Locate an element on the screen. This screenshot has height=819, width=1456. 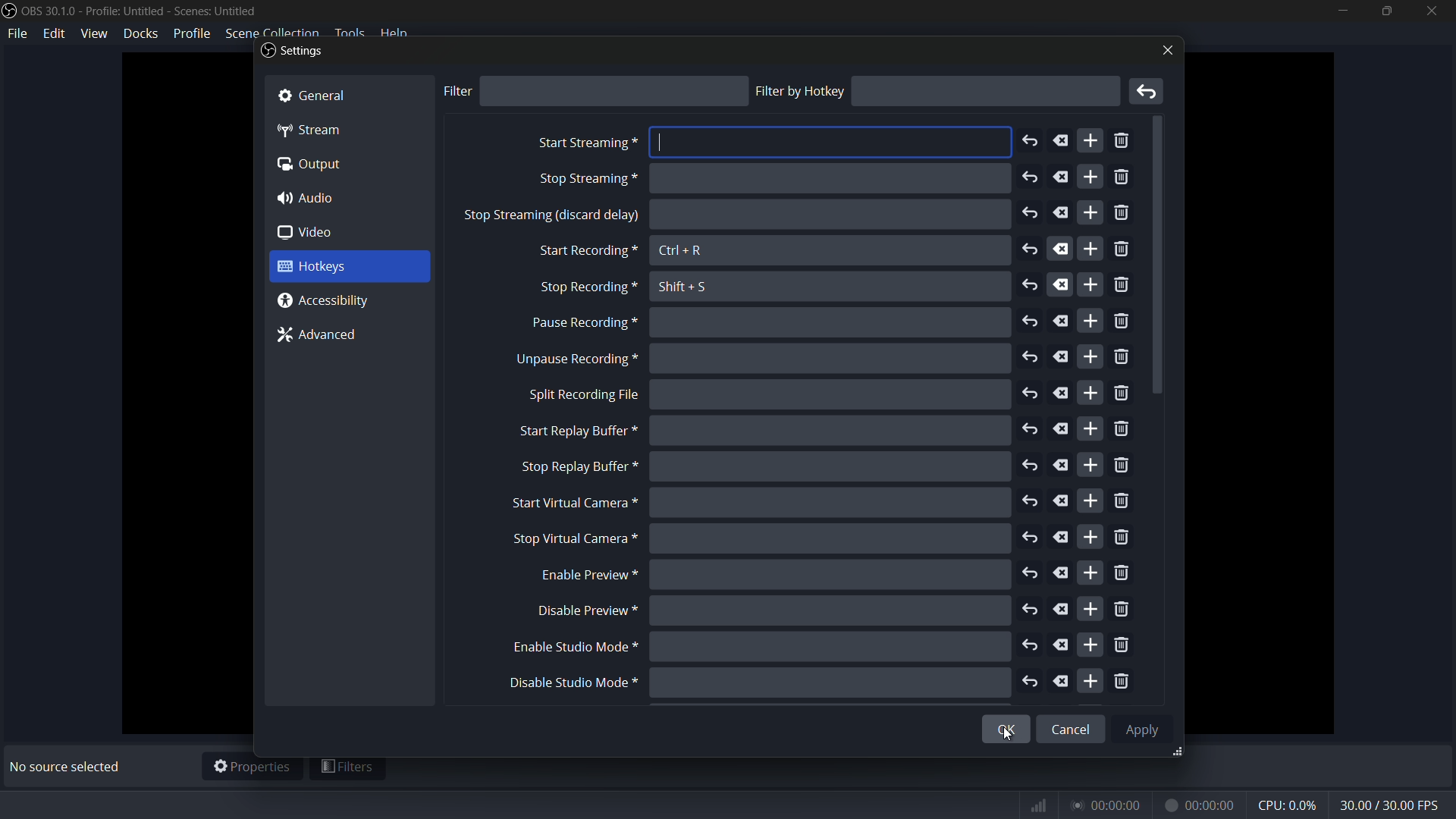
delete is located at coordinates (1062, 428).